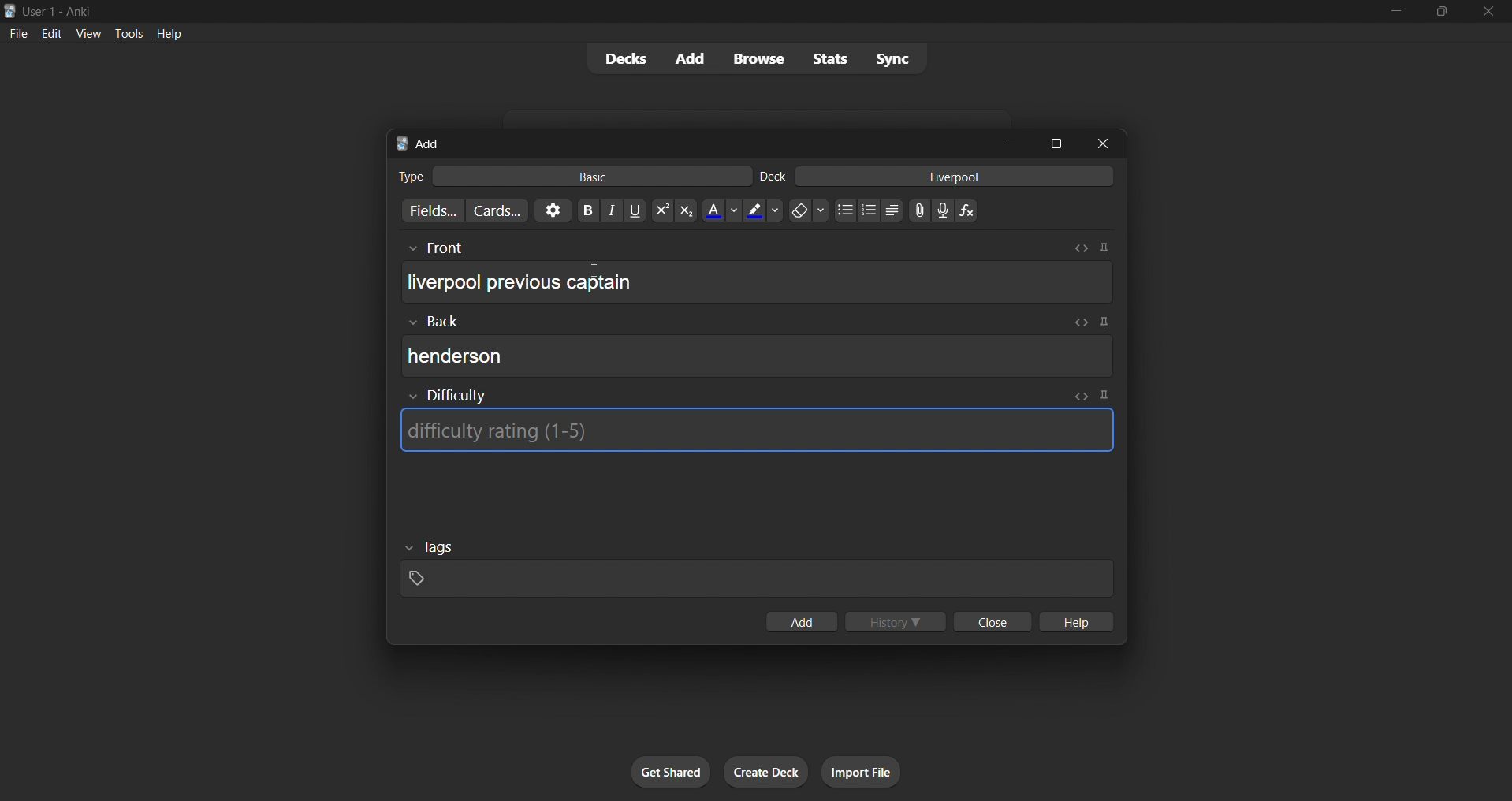 The width and height of the screenshot is (1512, 801). I want to click on hlep, so click(1078, 623).